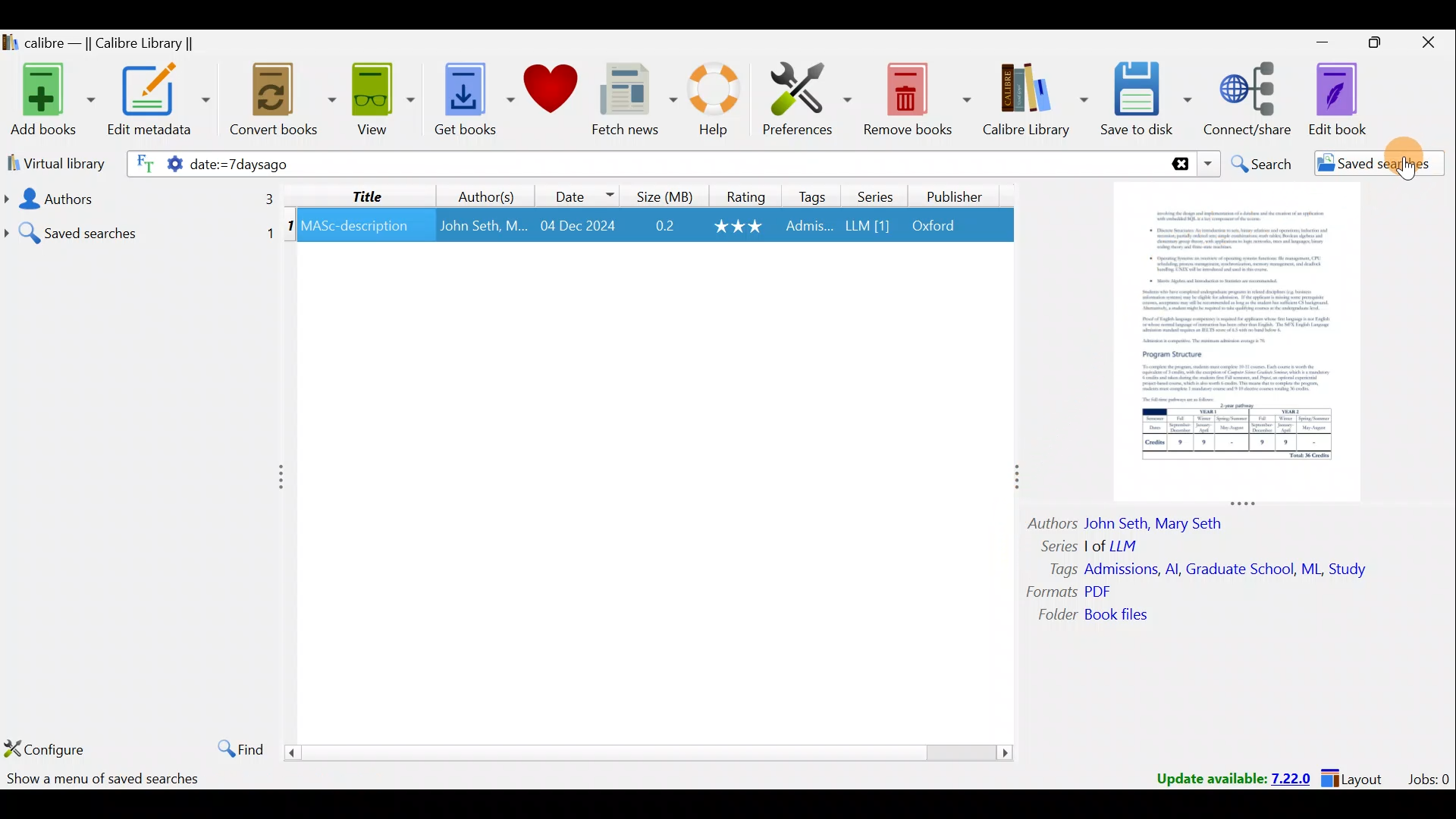 This screenshot has height=819, width=1456. Describe the element at coordinates (1097, 544) in the screenshot. I see `Series | of LLM` at that location.